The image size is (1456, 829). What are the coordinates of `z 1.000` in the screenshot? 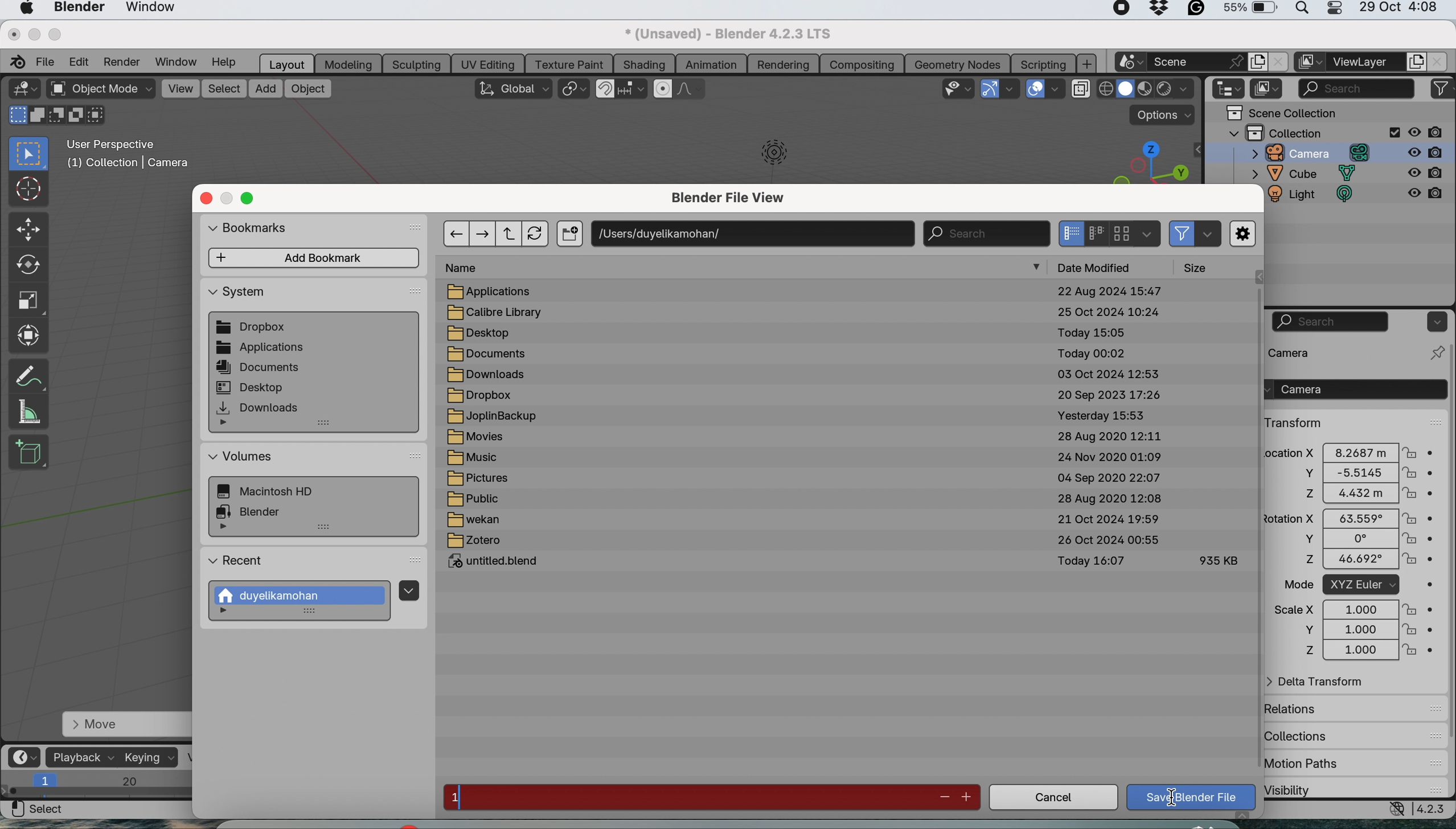 It's located at (1355, 651).